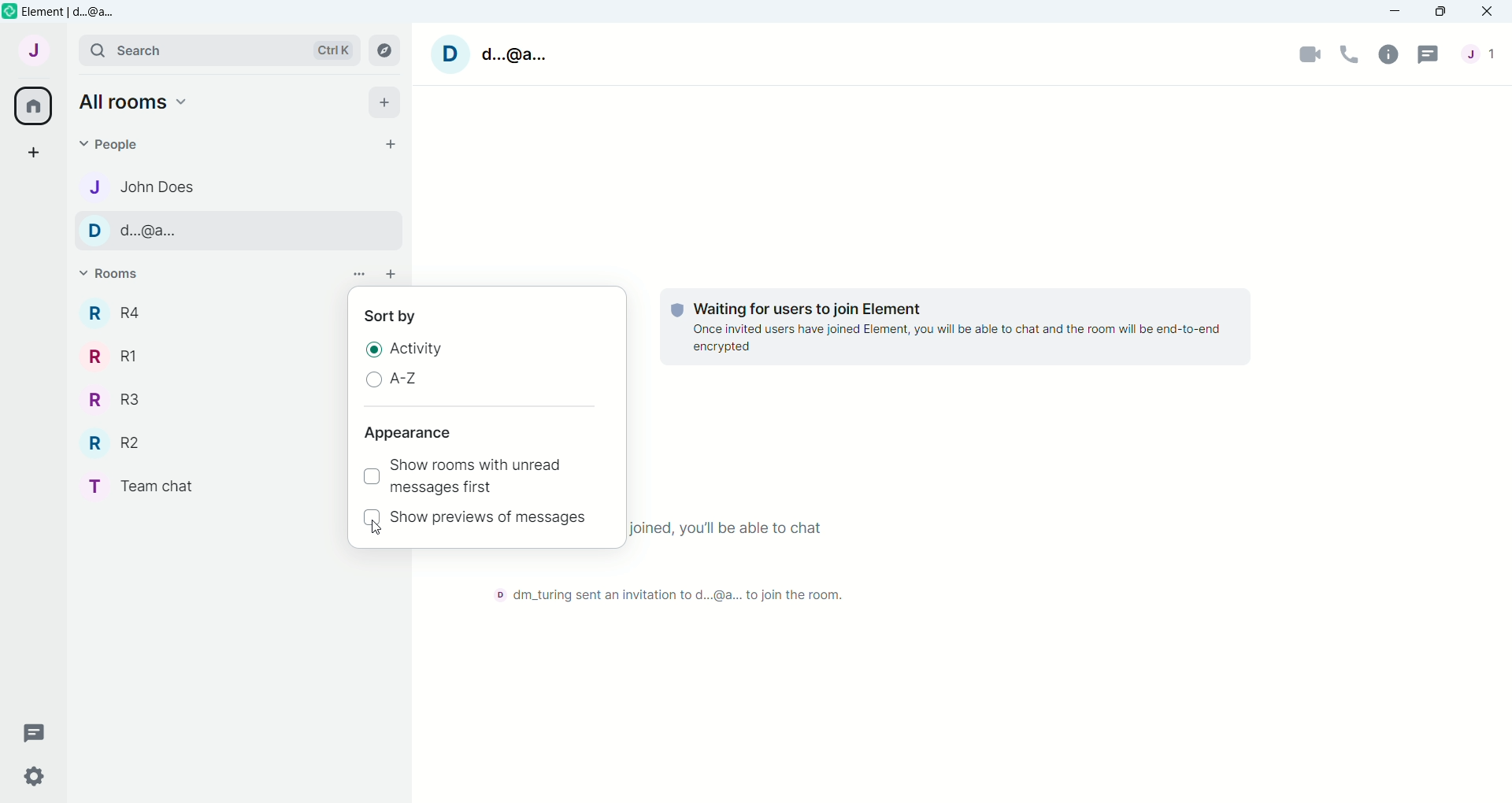 The width and height of the screenshot is (1512, 803). I want to click on All rooms, so click(32, 105).